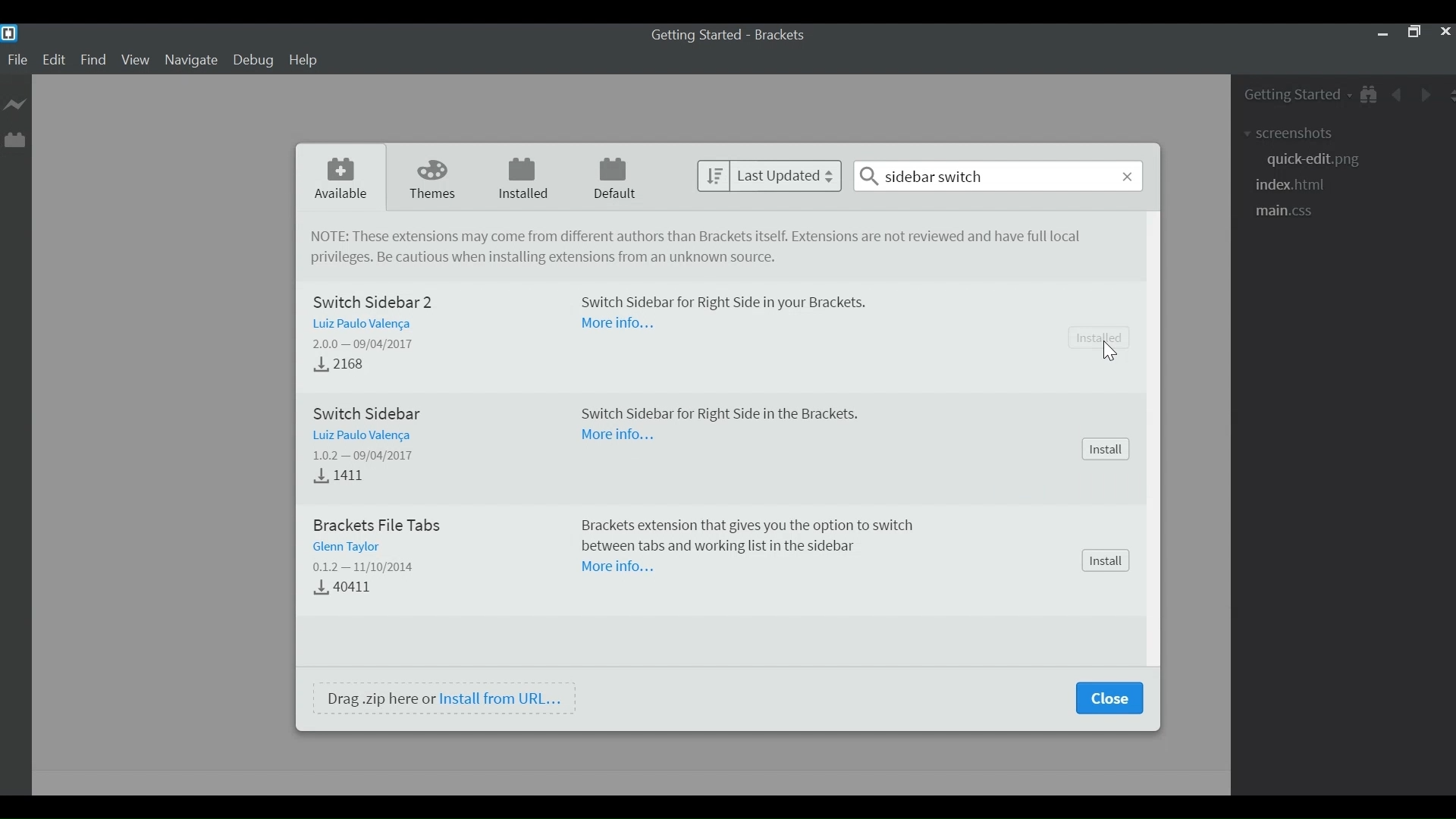 The height and width of the screenshot is (819, 1456). Describe the element at coordinates (18, 61) in the screenshot. I see `File` at that location.